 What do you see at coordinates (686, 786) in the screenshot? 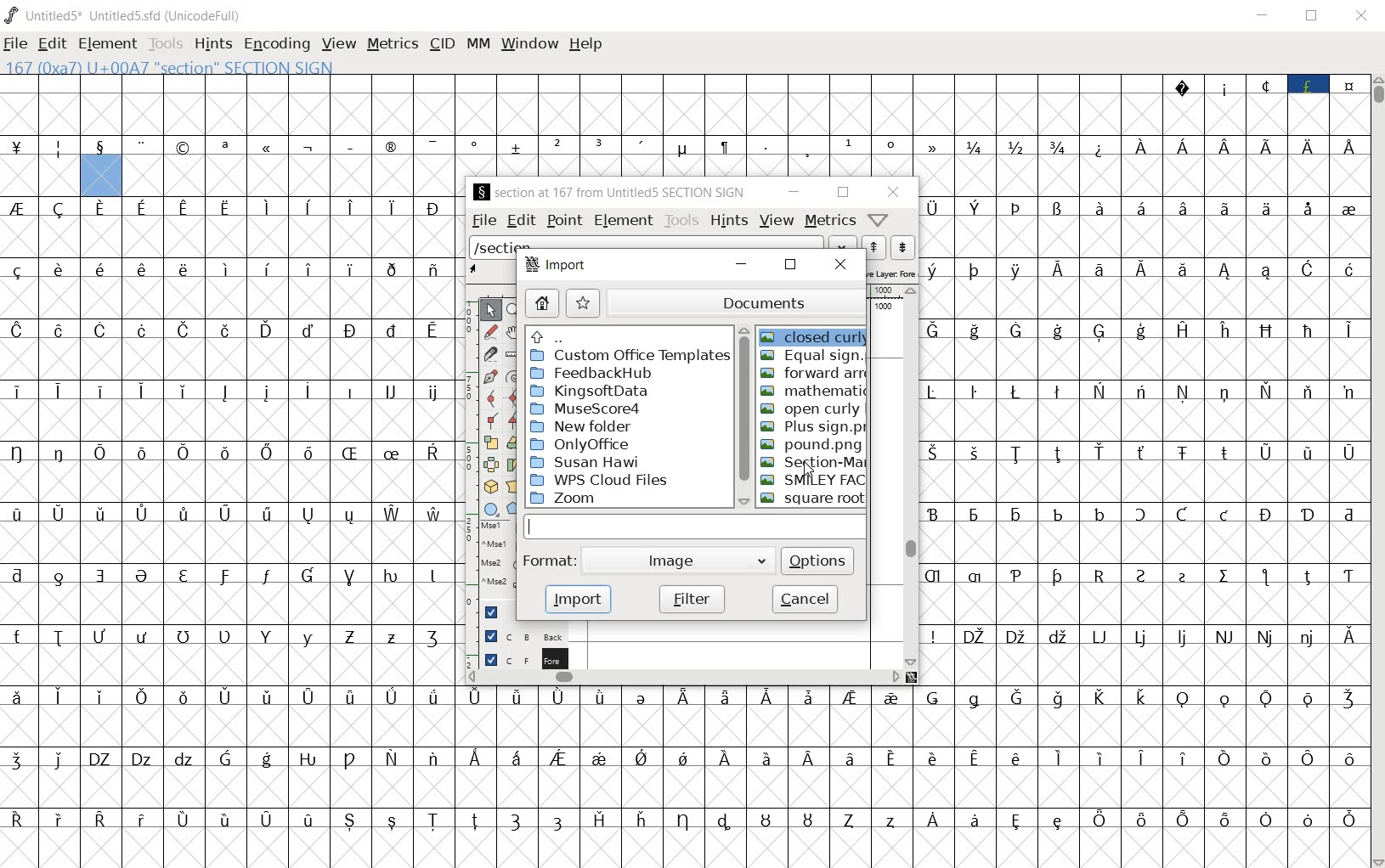
I see `empty cells` at bounding box center [686, 786].